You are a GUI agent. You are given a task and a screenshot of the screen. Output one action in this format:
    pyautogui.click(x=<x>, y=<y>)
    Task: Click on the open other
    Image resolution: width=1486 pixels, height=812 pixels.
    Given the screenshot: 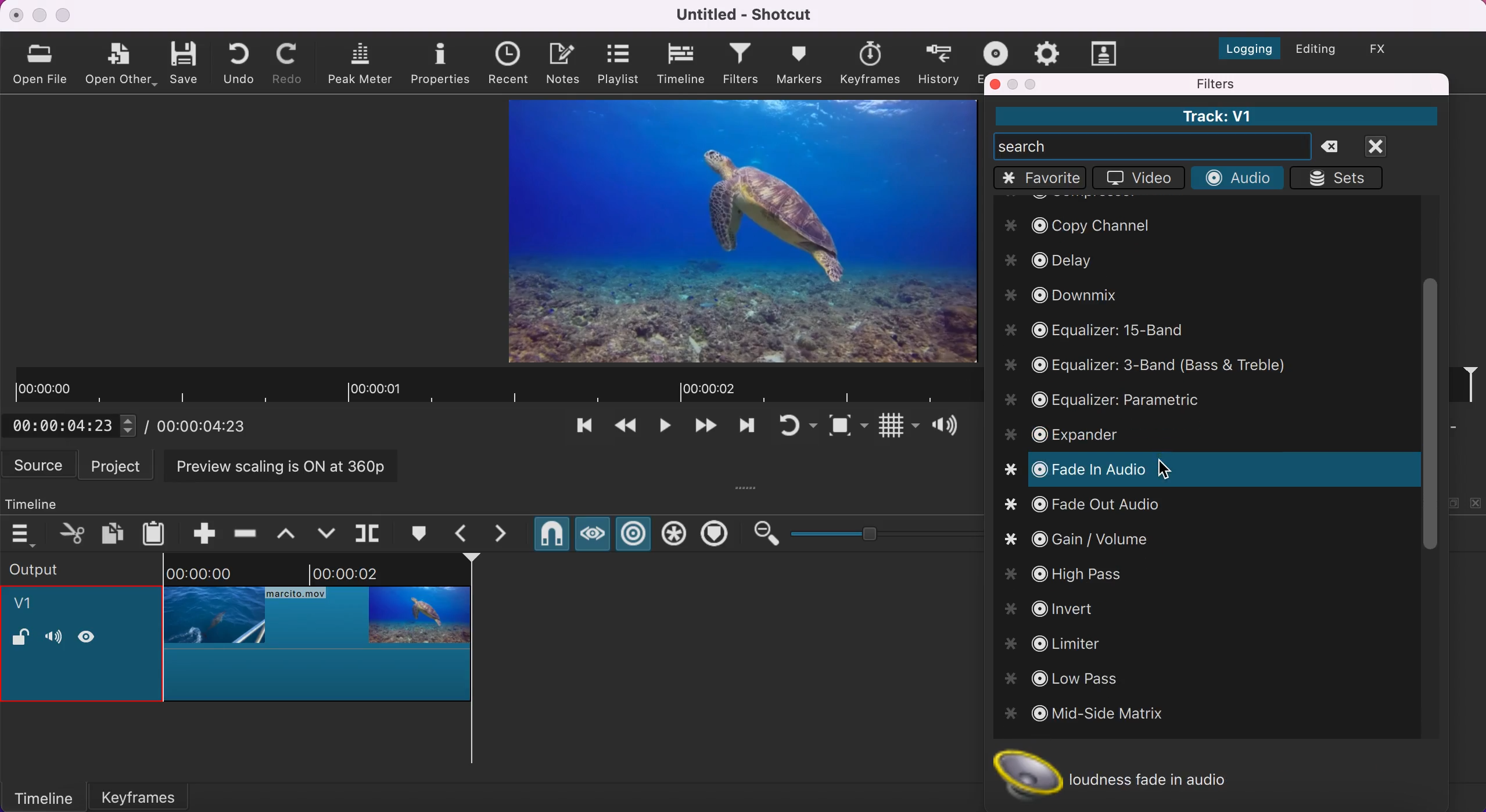 What is the action you would take?
    pyautogui.click(x=121, y=65)
    